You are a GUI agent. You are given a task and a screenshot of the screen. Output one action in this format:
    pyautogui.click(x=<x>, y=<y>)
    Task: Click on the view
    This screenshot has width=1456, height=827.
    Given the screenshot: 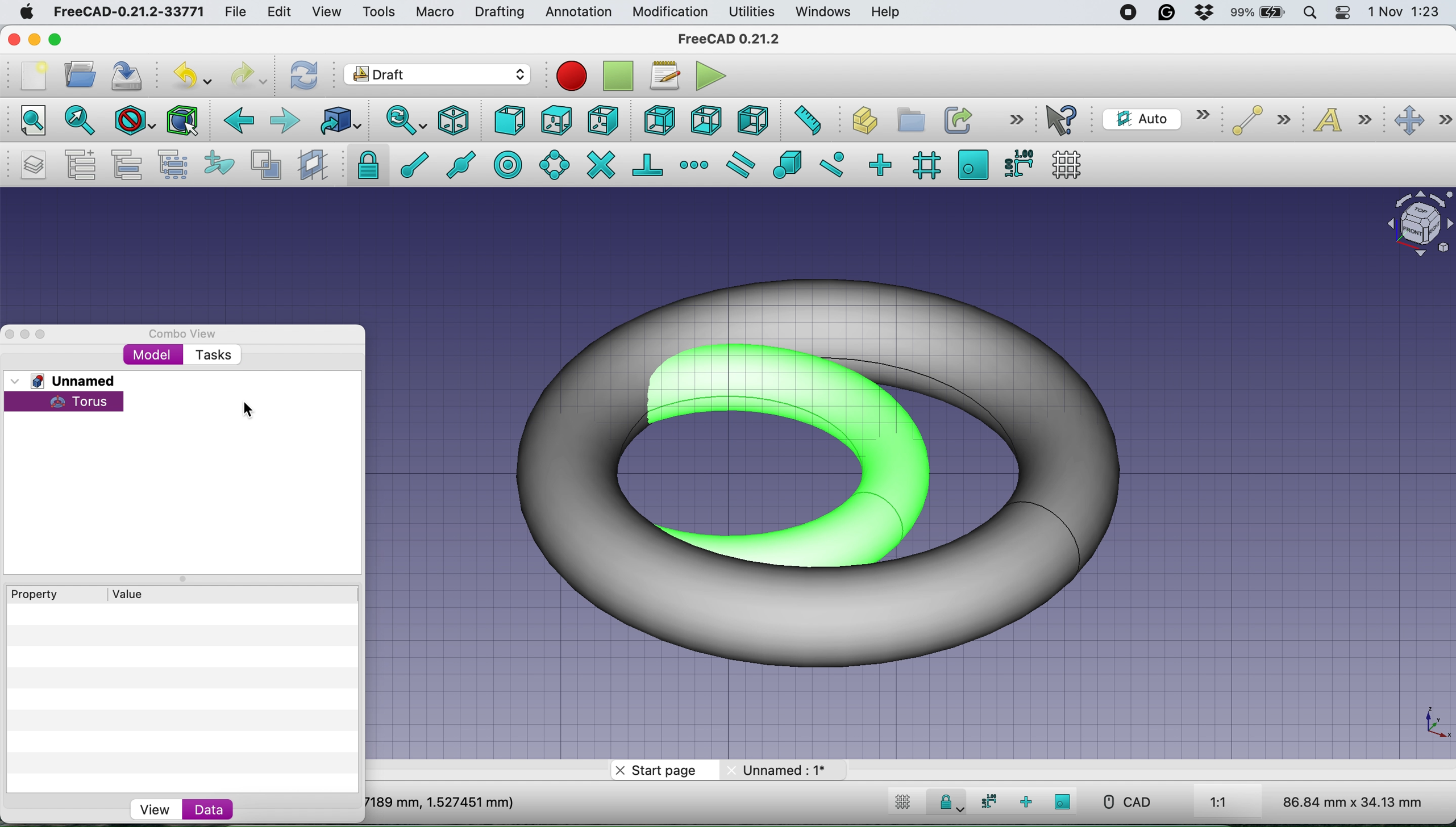 What is the action you would take?
    pyautogui.click(x=326, y=13)
    